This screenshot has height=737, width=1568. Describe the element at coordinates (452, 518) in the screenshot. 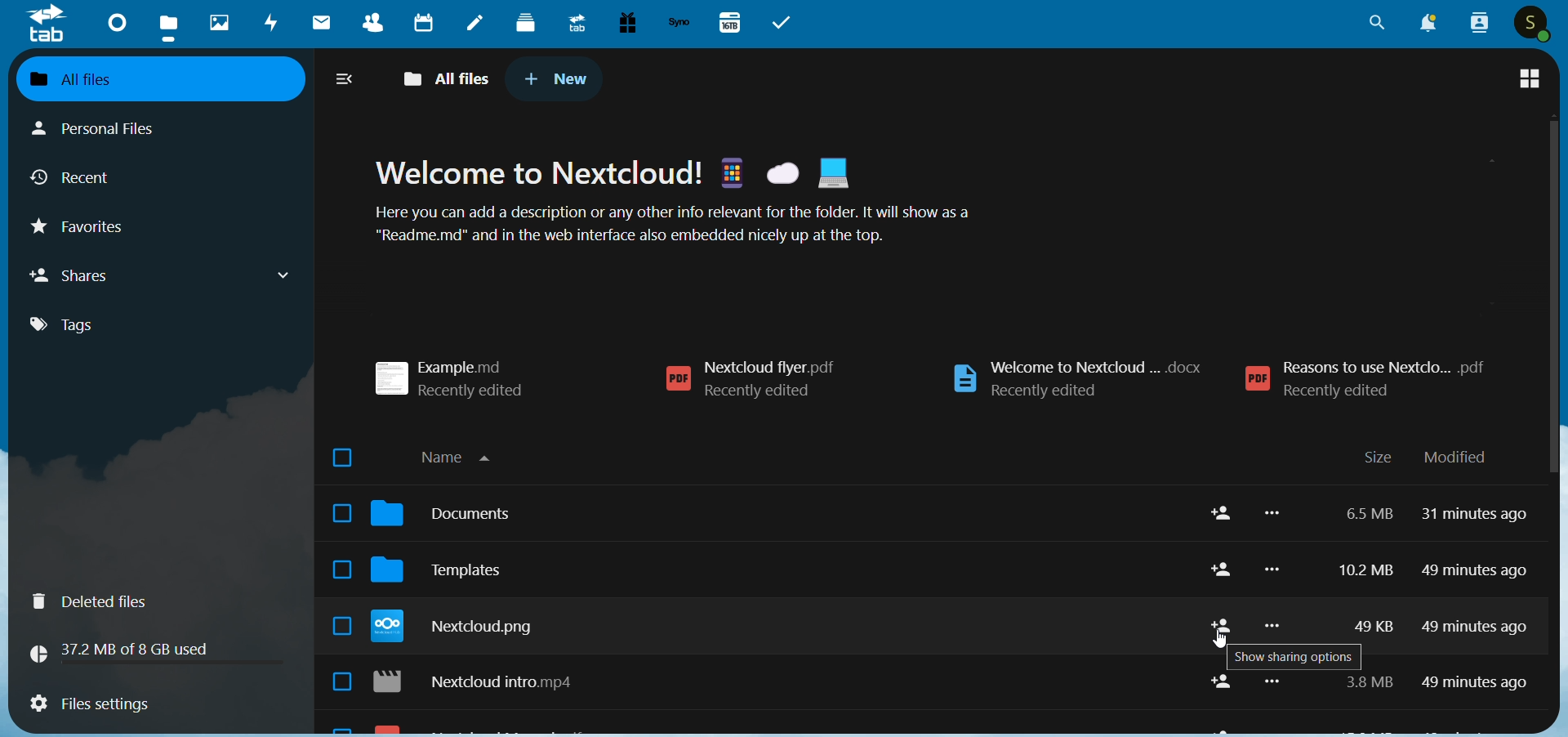

I see `document` at that location.